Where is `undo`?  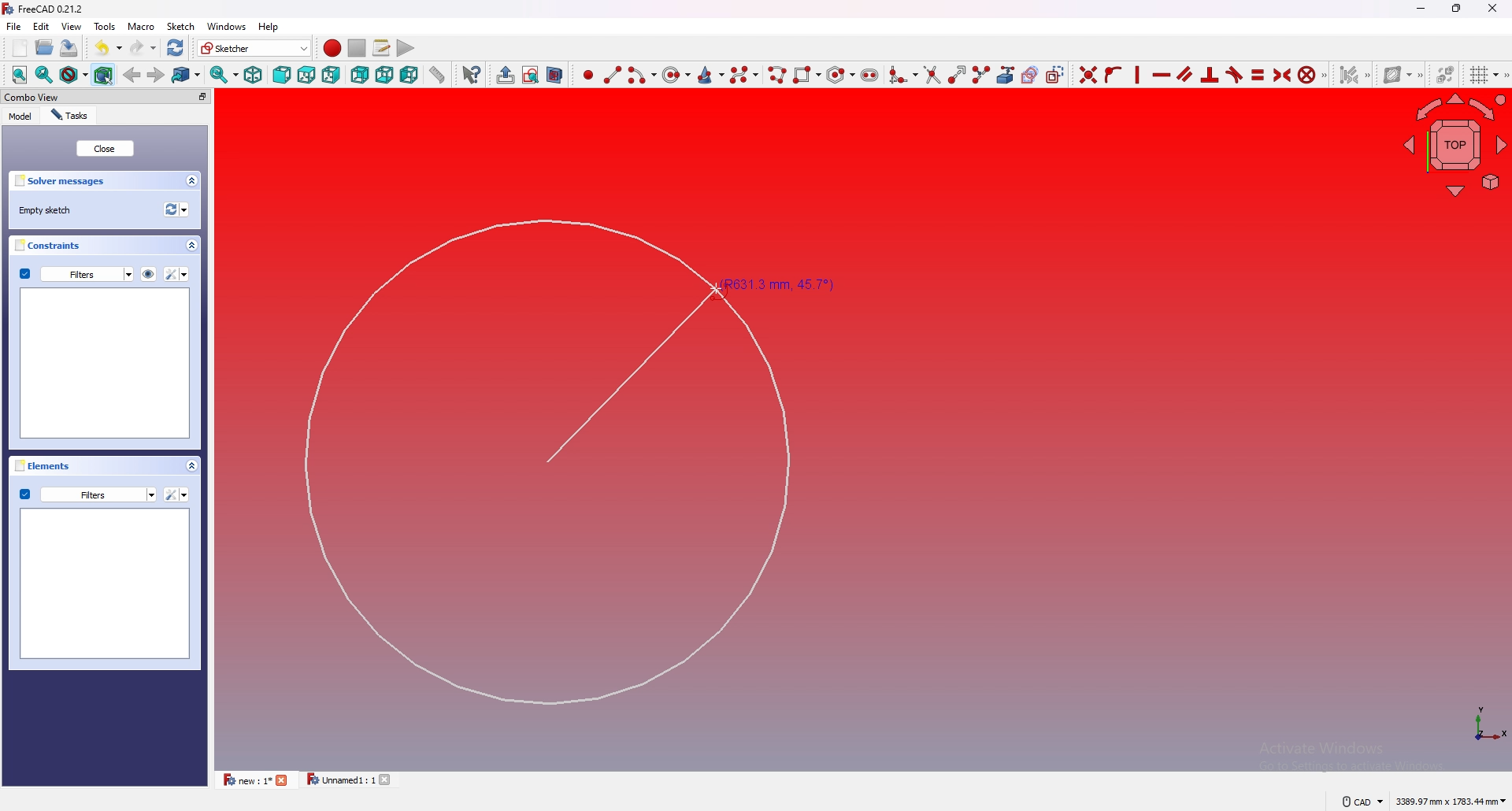 undo is located at coordinates (108, 48).